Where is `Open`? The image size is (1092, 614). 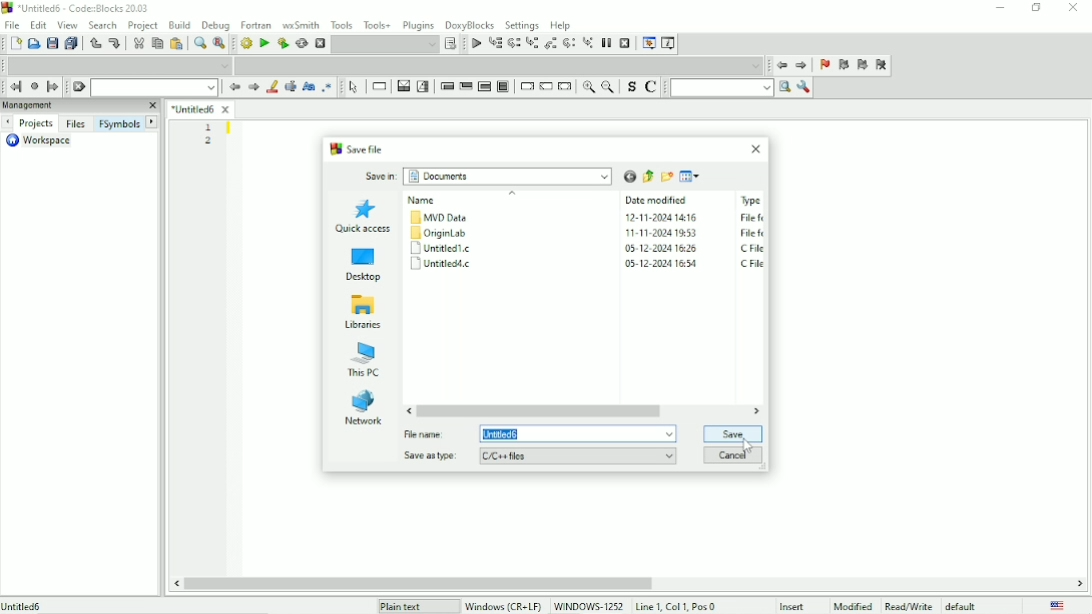
Open is located at coordinates (34, 43).